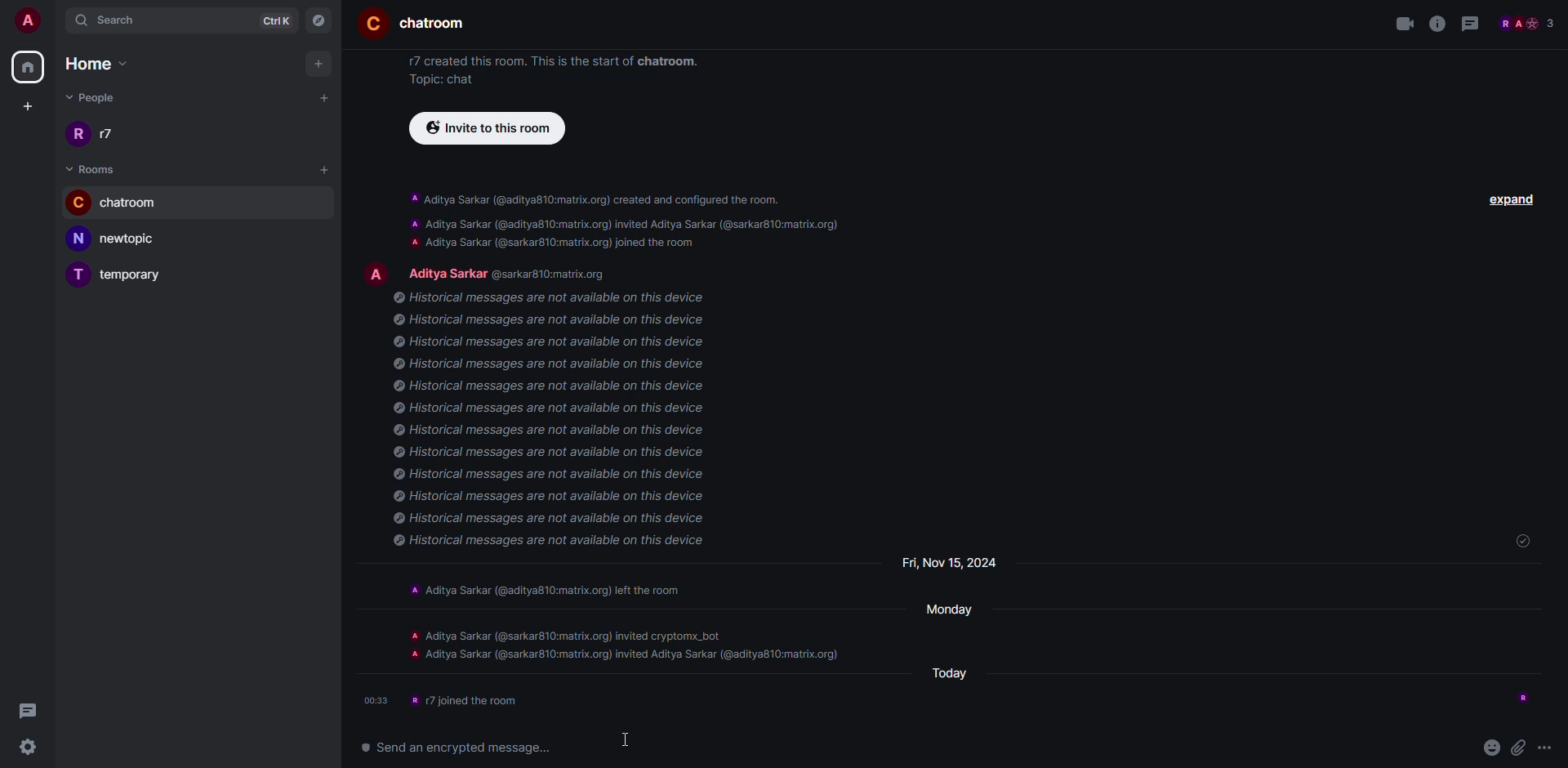  I want to click on attach, so click(1521, 744).